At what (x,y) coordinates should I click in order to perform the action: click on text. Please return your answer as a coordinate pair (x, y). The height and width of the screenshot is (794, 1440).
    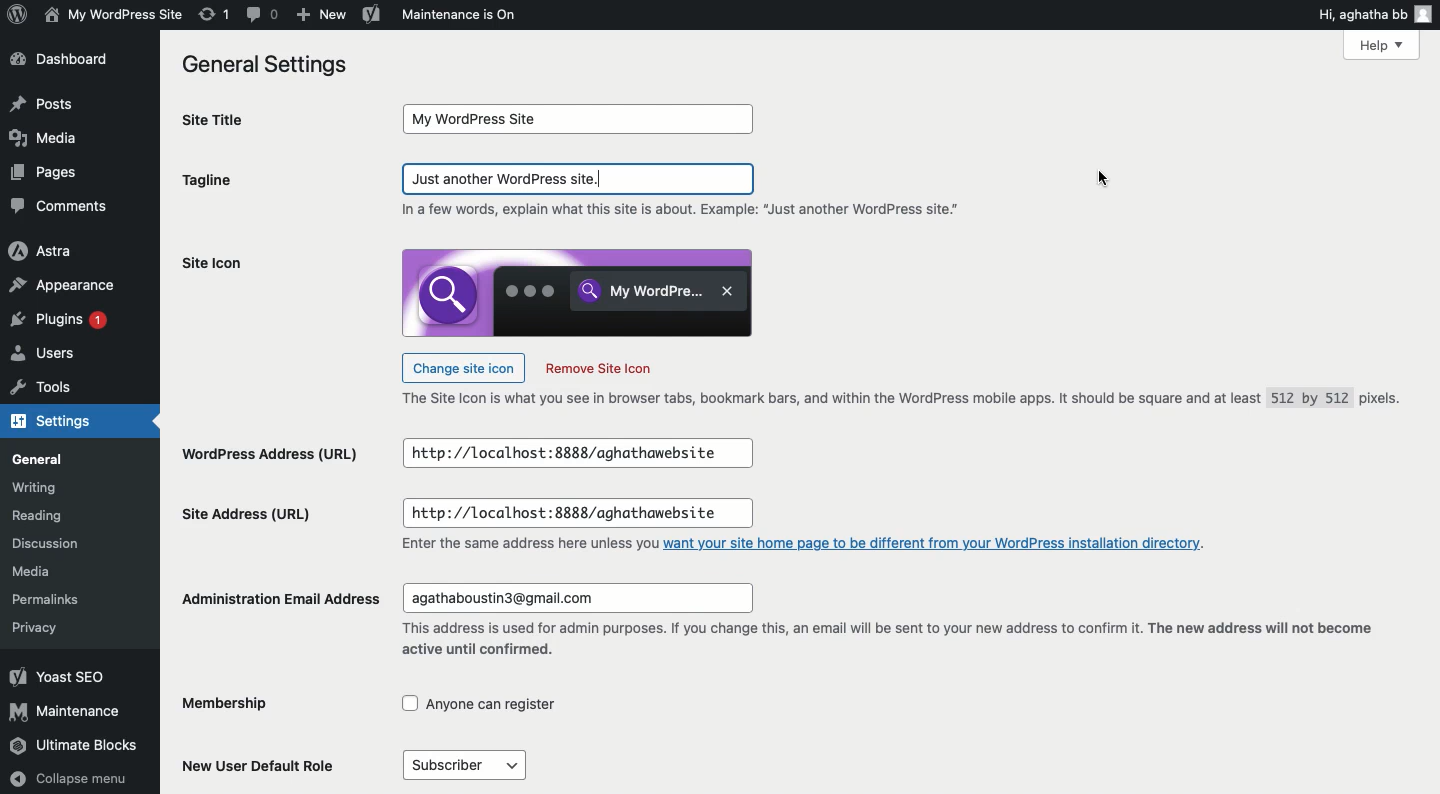
    Looking at the image, I should click on (884, 642).